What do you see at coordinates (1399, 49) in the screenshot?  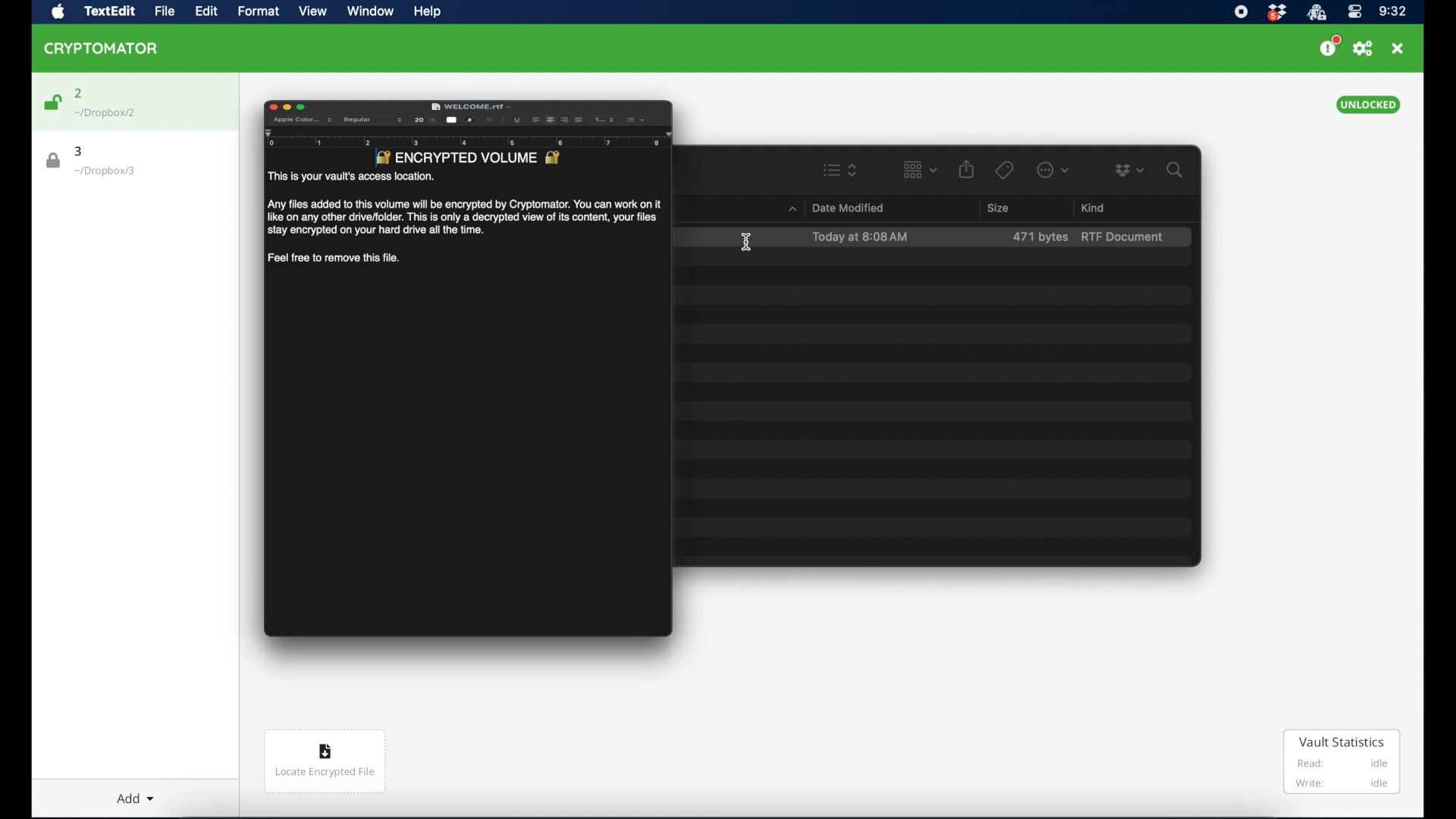 I see `close` at bounding box center [1399, 49].